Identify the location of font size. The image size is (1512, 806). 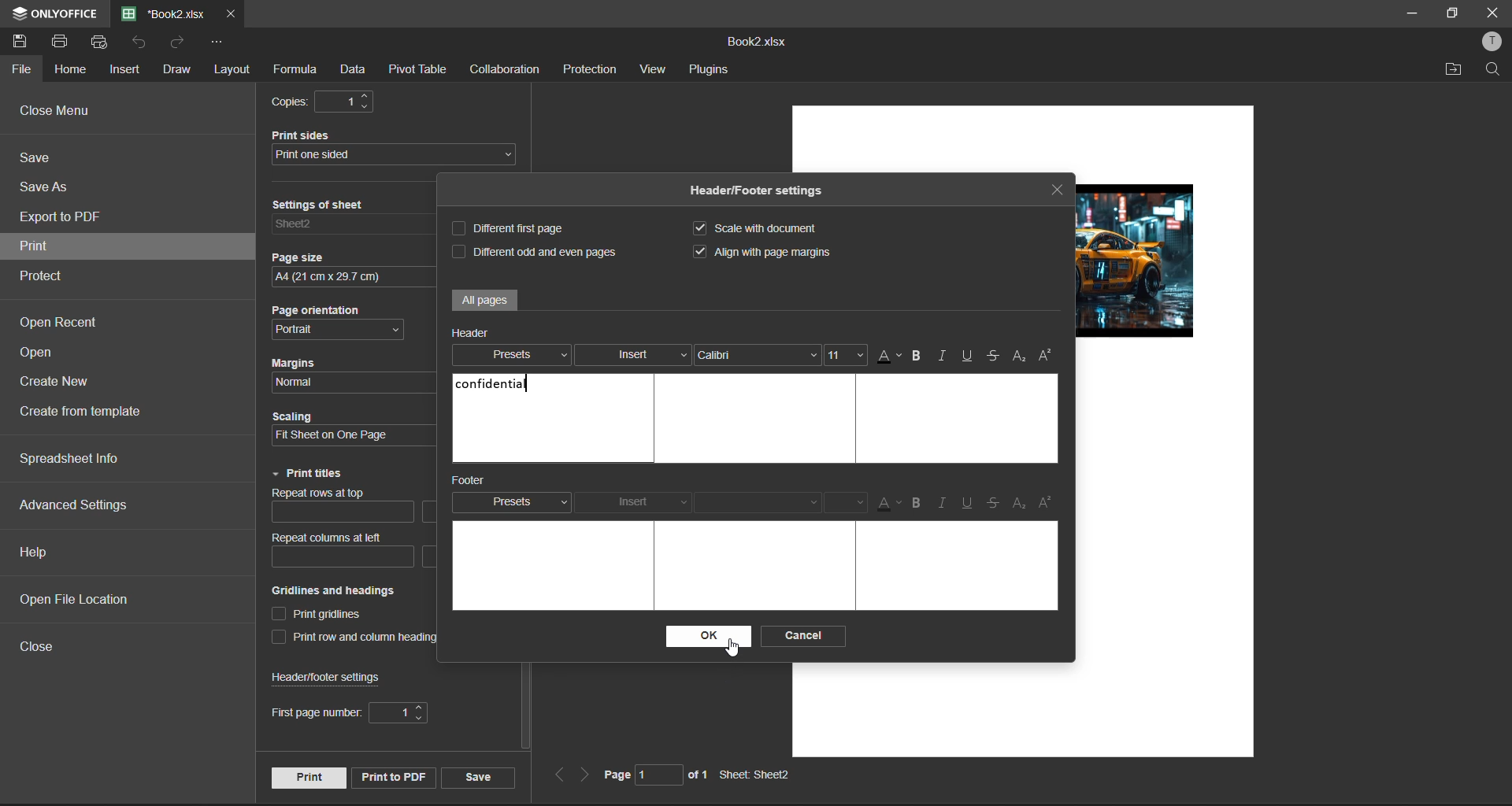
(846, 356).